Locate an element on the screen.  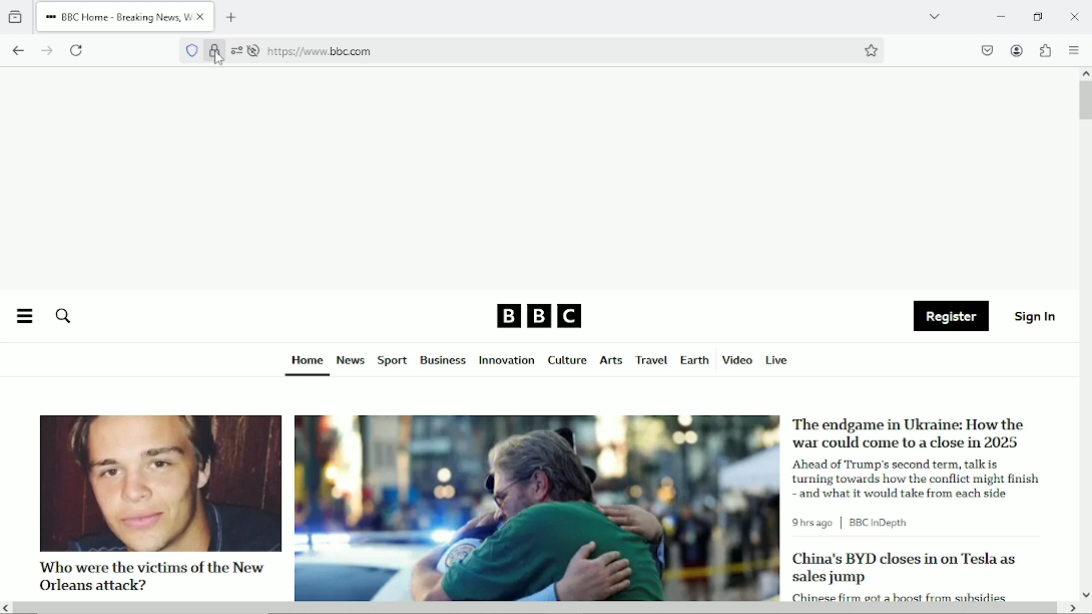
Video is located at coordinates (737, 359).